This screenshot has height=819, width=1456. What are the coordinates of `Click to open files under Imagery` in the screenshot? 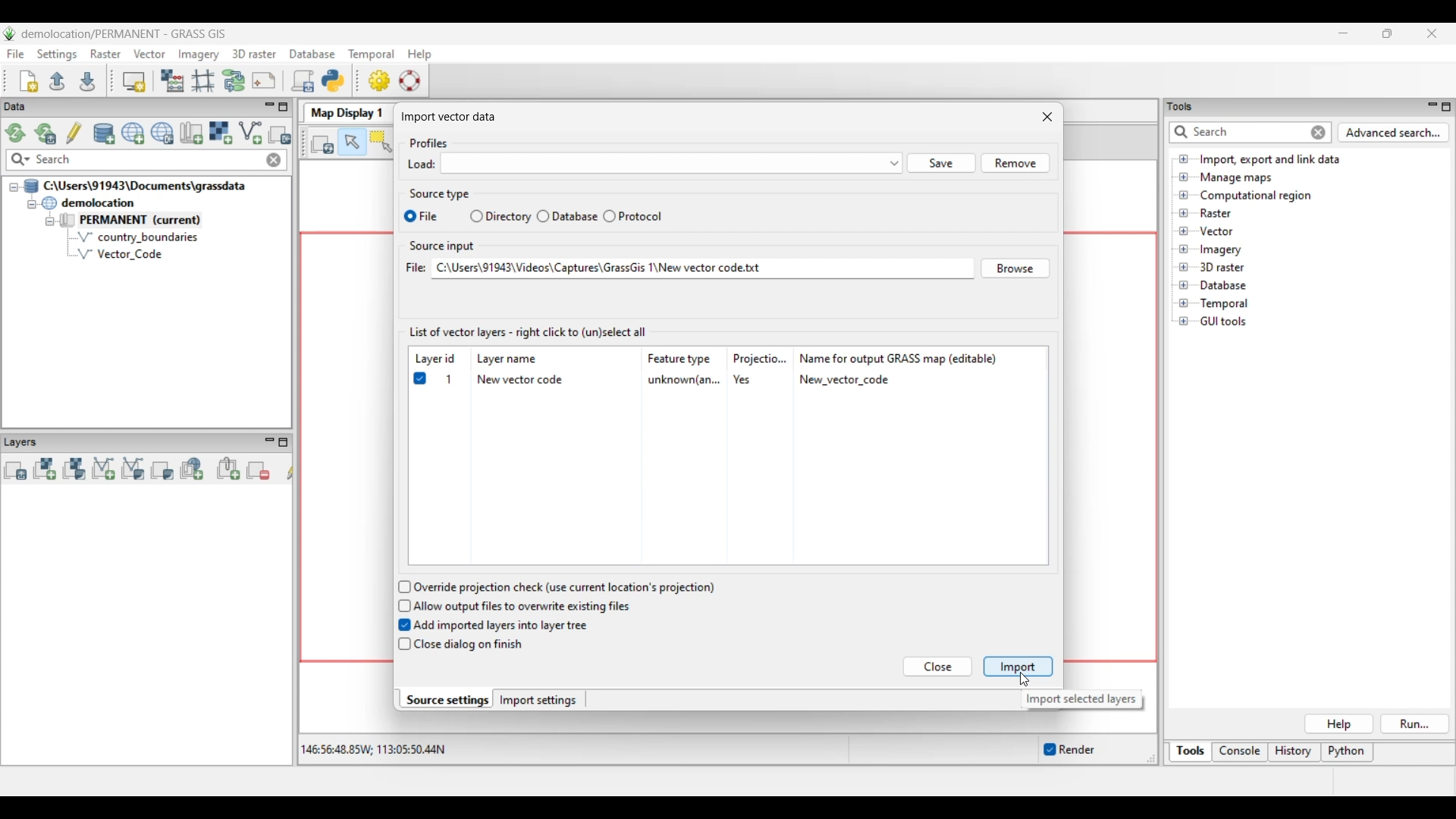 It's located at (1183, 249).